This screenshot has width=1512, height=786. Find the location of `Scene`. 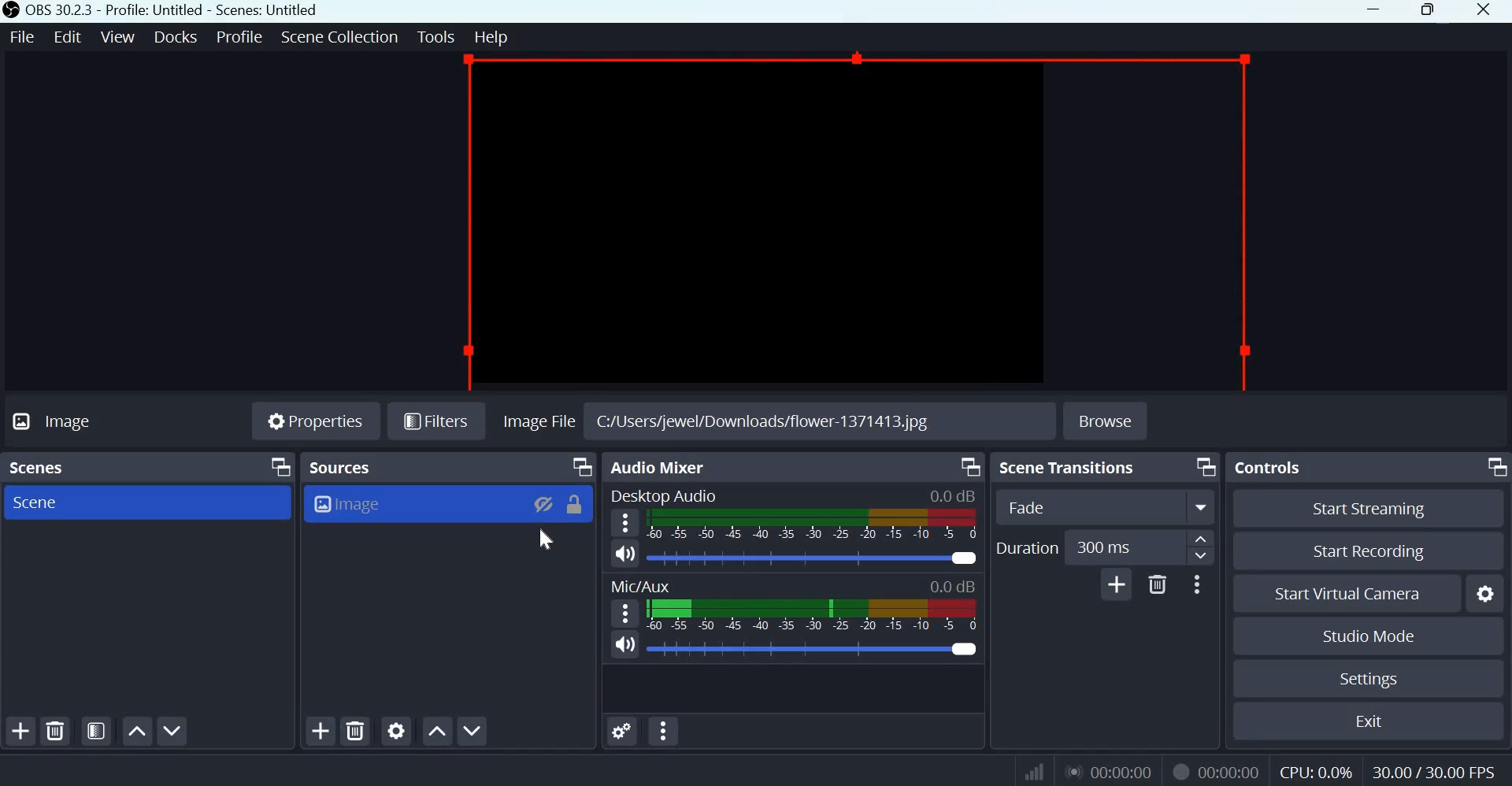

Scene is located at coordinates (39, 502).